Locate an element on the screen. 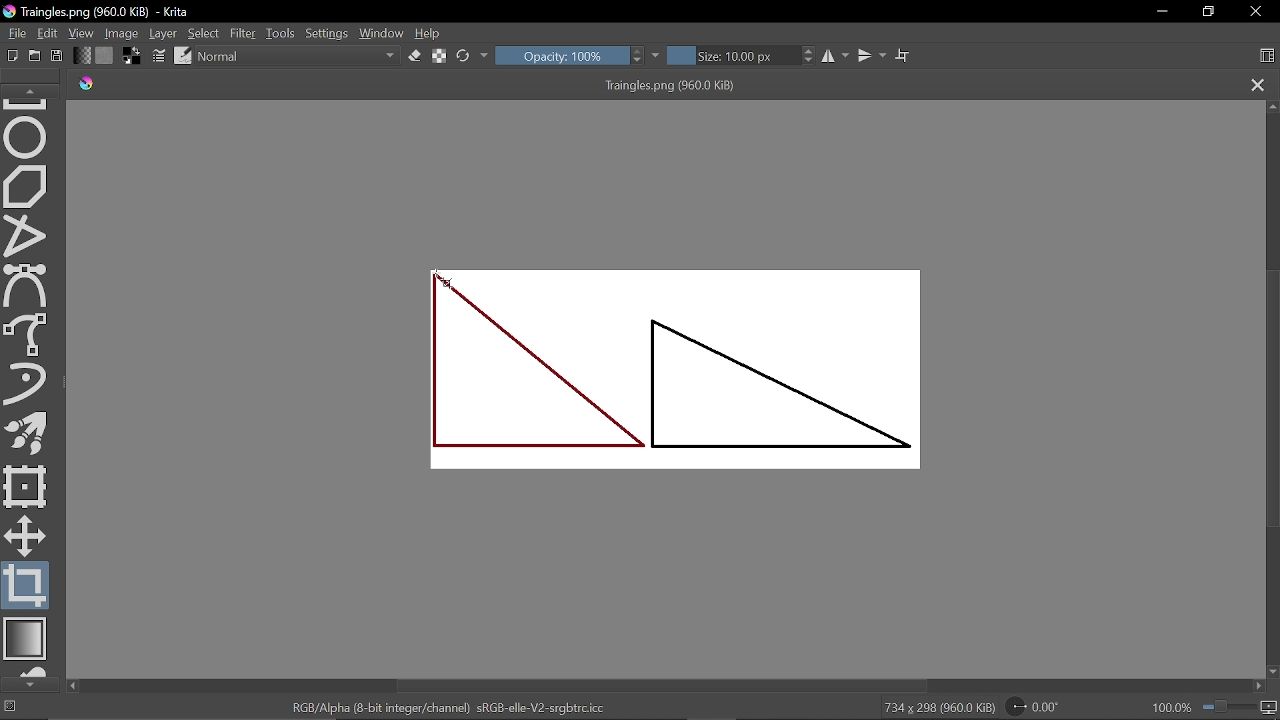  Multibrush tool is located at coordinates (30, 436).